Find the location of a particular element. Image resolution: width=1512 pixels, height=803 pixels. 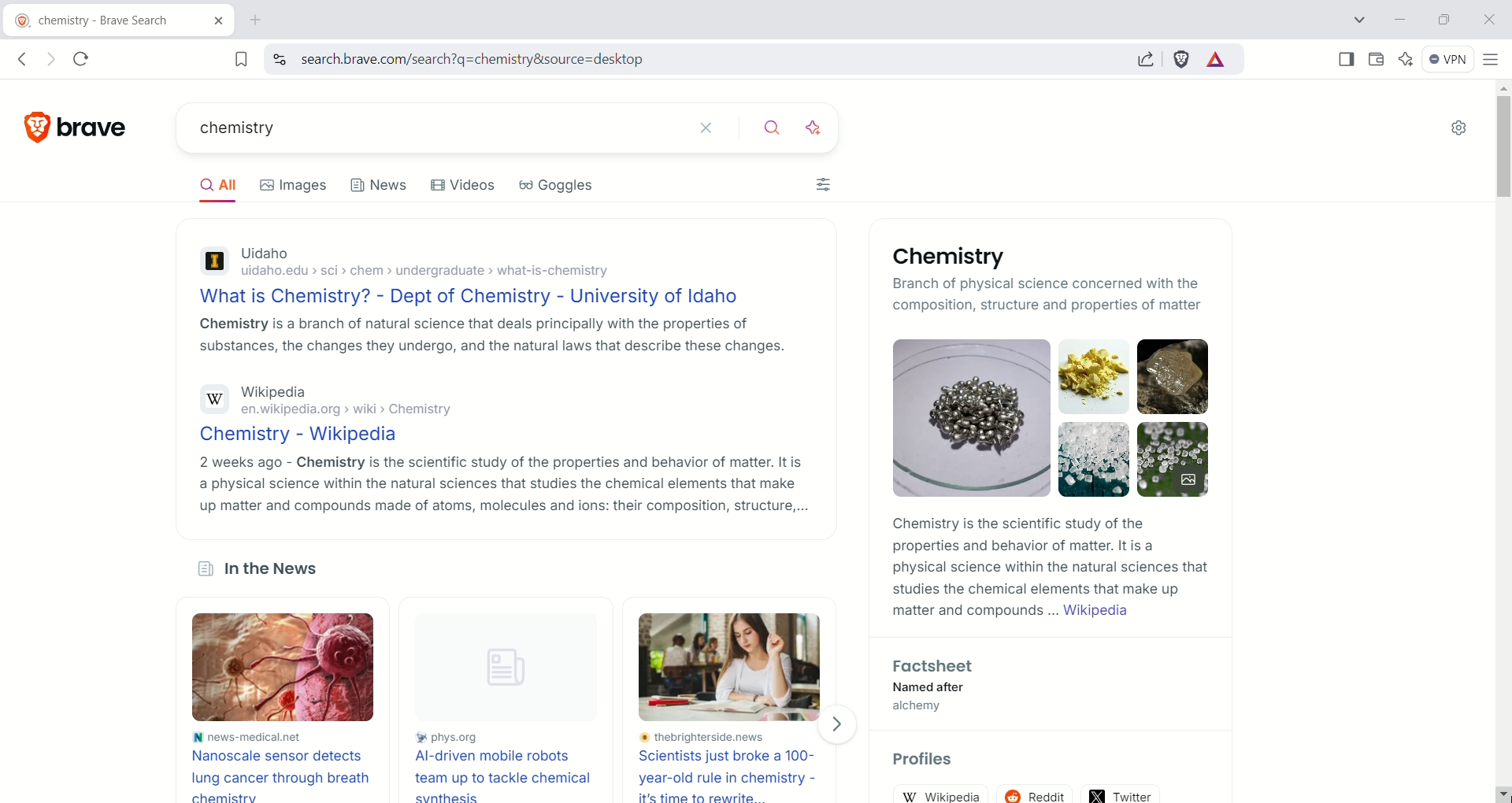

phys.org AI-driven mobile robots team up to tackle chemical synthesis is located at coordinates (506, 765).